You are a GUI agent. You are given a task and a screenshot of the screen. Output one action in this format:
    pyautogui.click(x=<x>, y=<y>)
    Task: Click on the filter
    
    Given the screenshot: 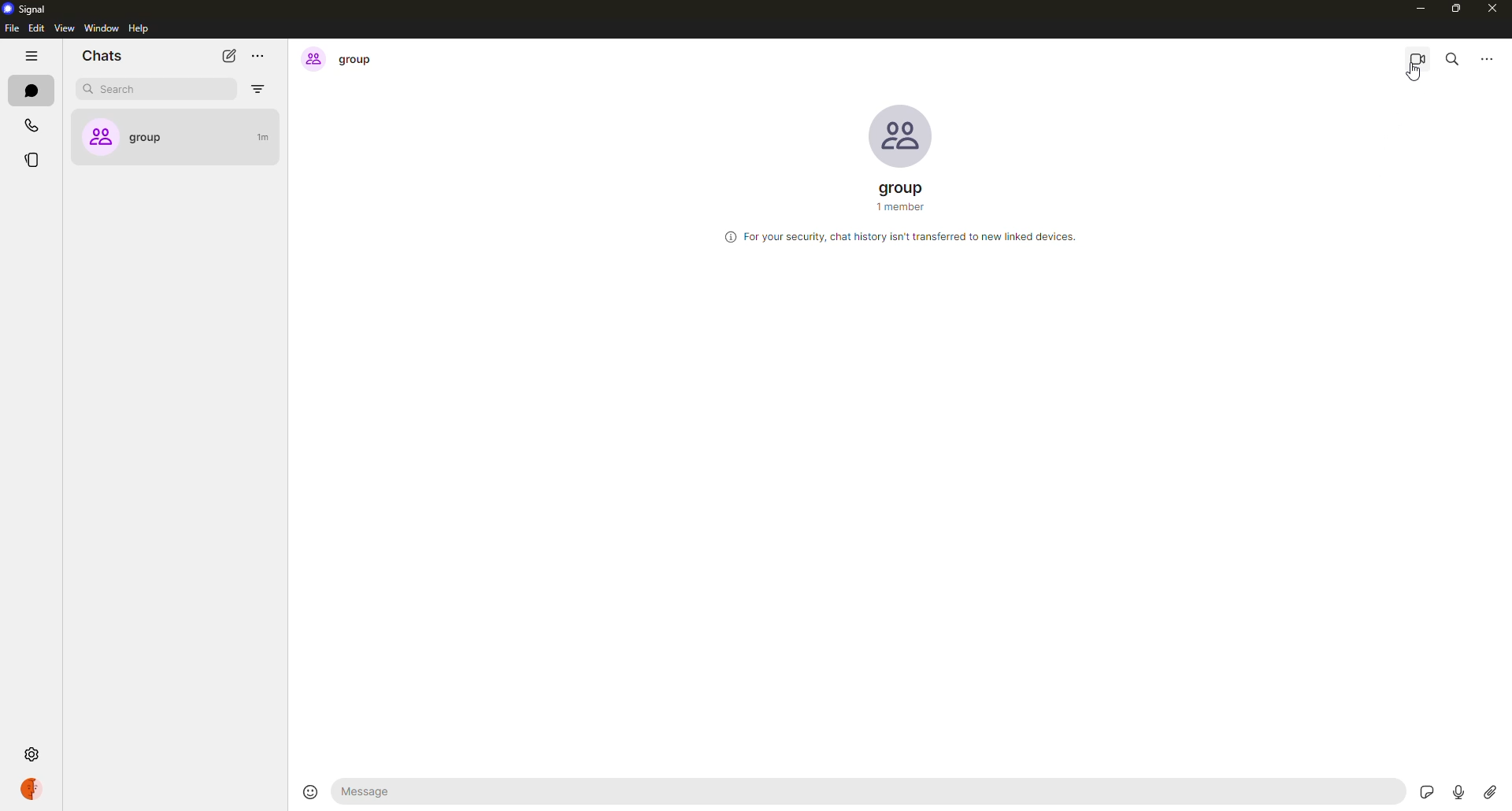 What is the action you would take?
    pyautogui.click(x=261, y=91)
    